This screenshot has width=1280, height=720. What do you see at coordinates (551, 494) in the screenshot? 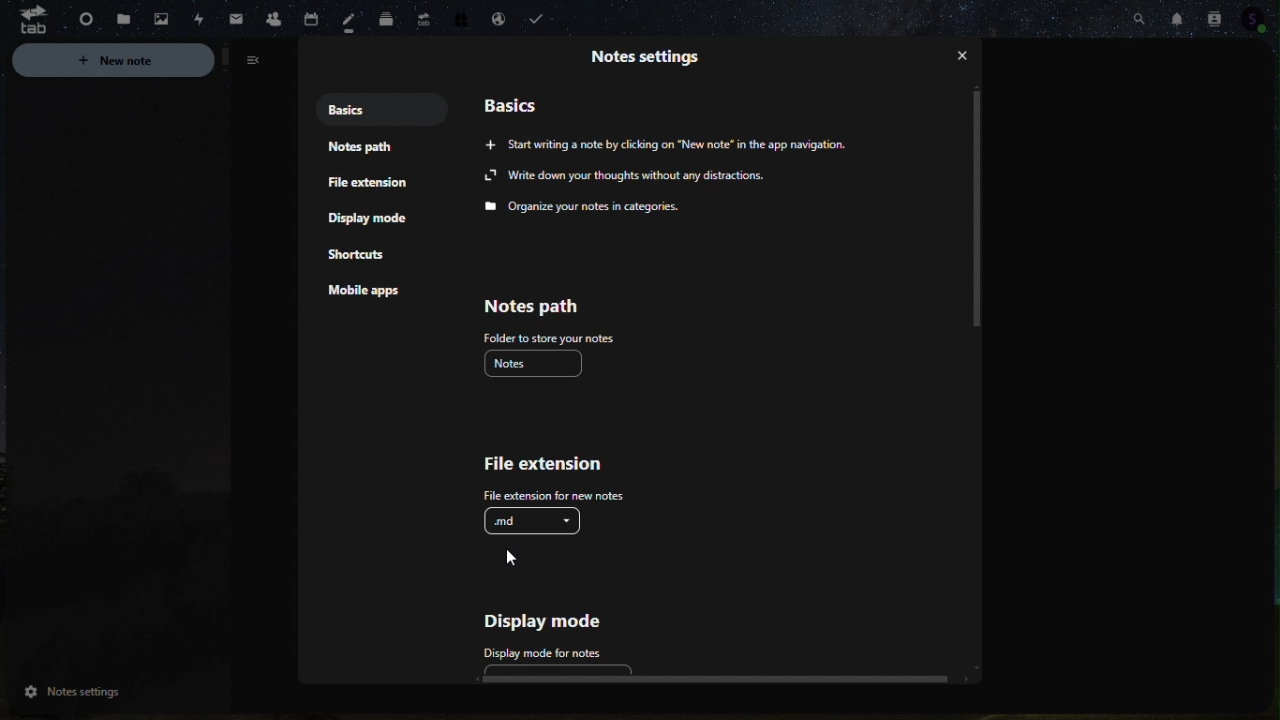
I see `file extension for new notes` at bounding box center [551, 494].